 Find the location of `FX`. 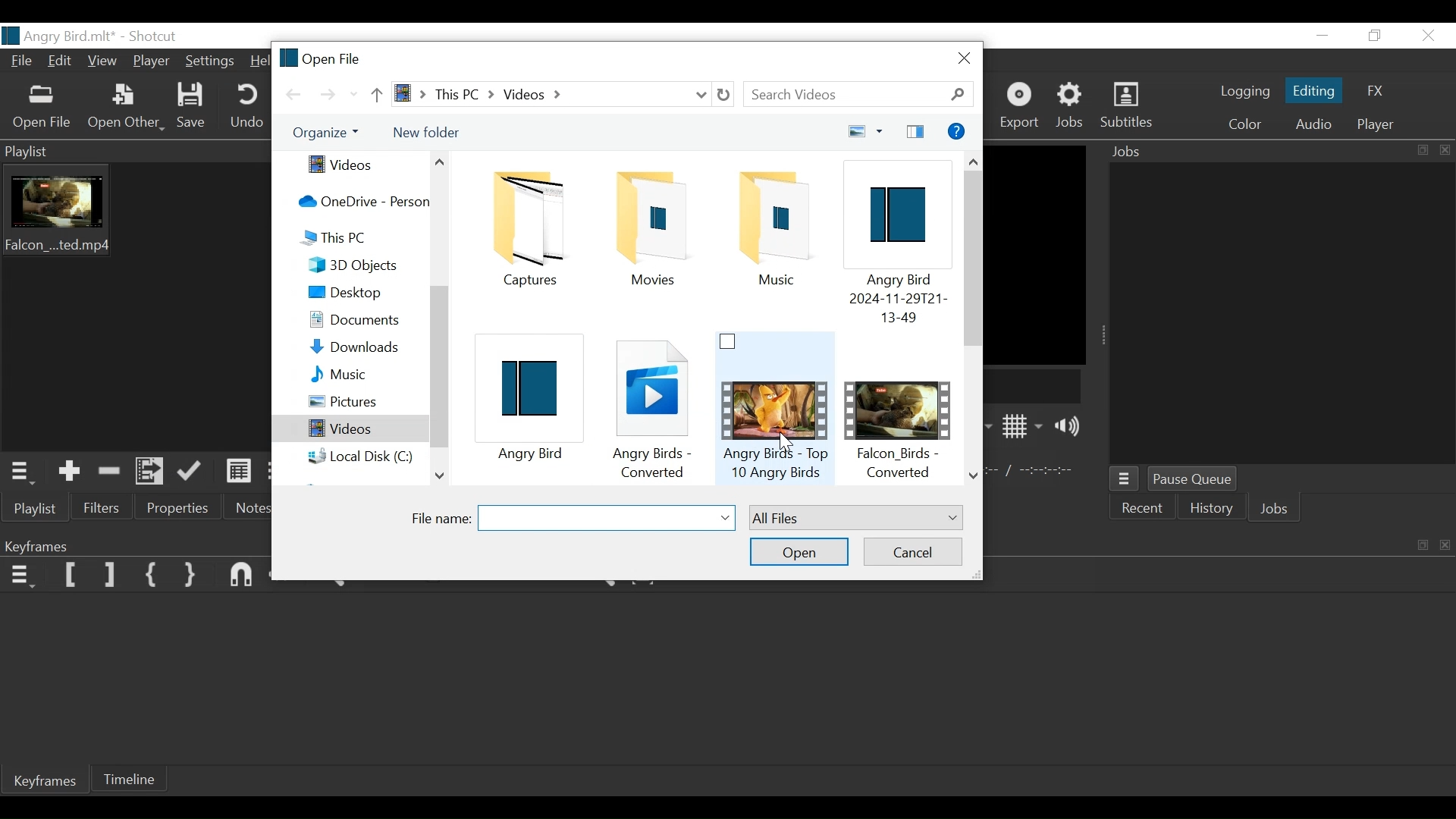

FX is located at coordinates (1375, 91).